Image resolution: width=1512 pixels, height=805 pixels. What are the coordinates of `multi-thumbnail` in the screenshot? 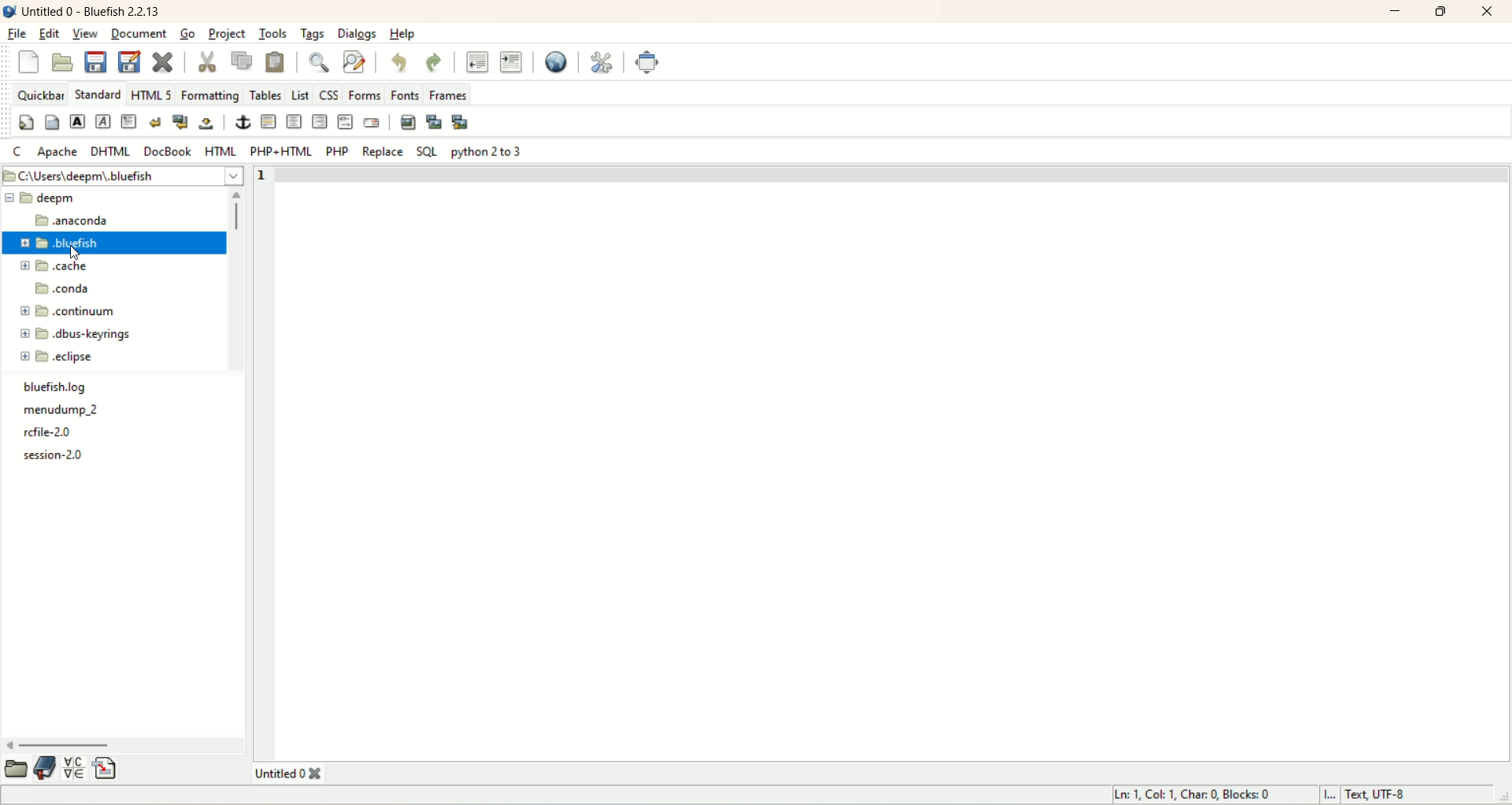 It's located at (464, 122).